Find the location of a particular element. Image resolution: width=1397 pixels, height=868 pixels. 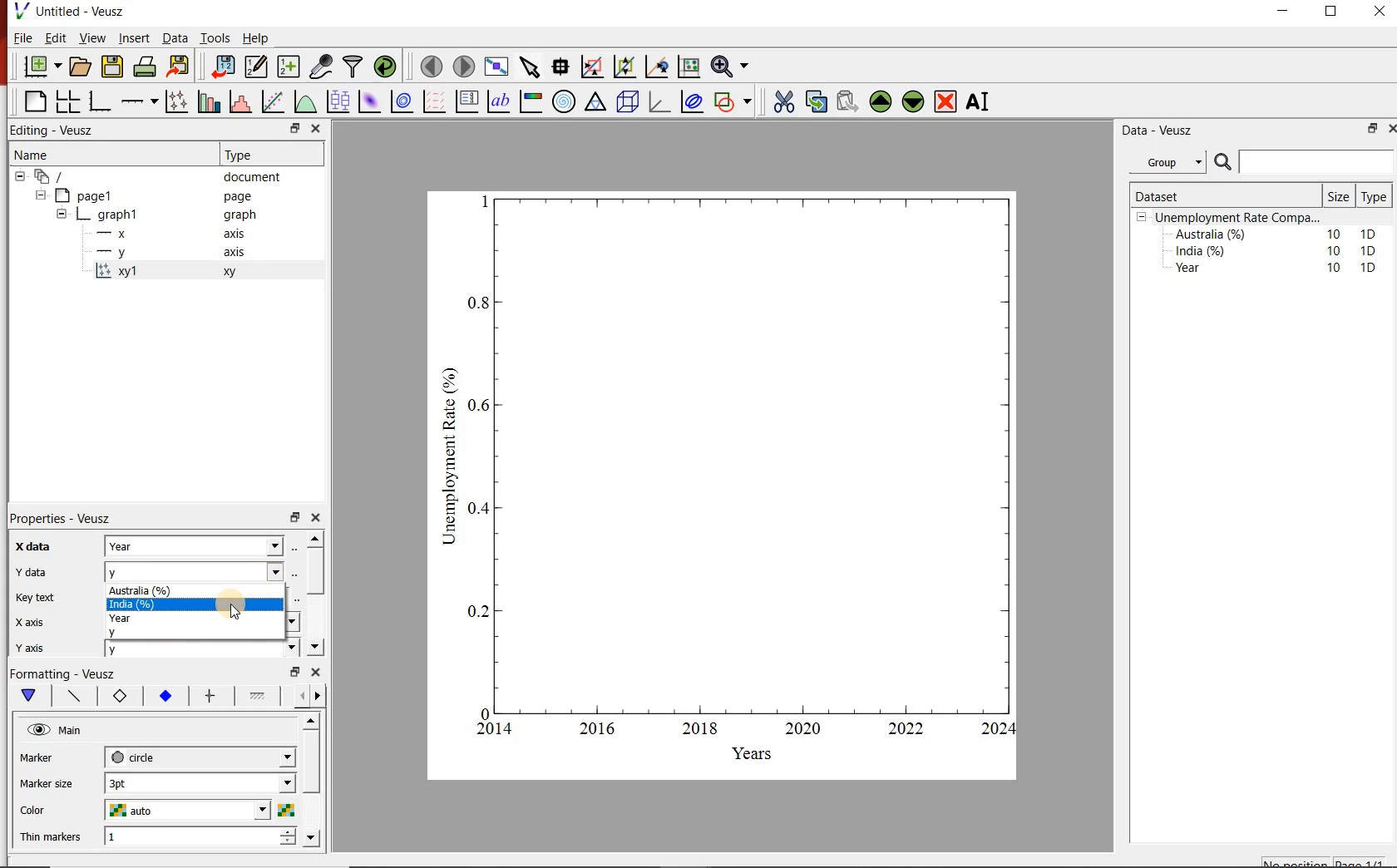

move to previous page is located at coordinates (432, 65).